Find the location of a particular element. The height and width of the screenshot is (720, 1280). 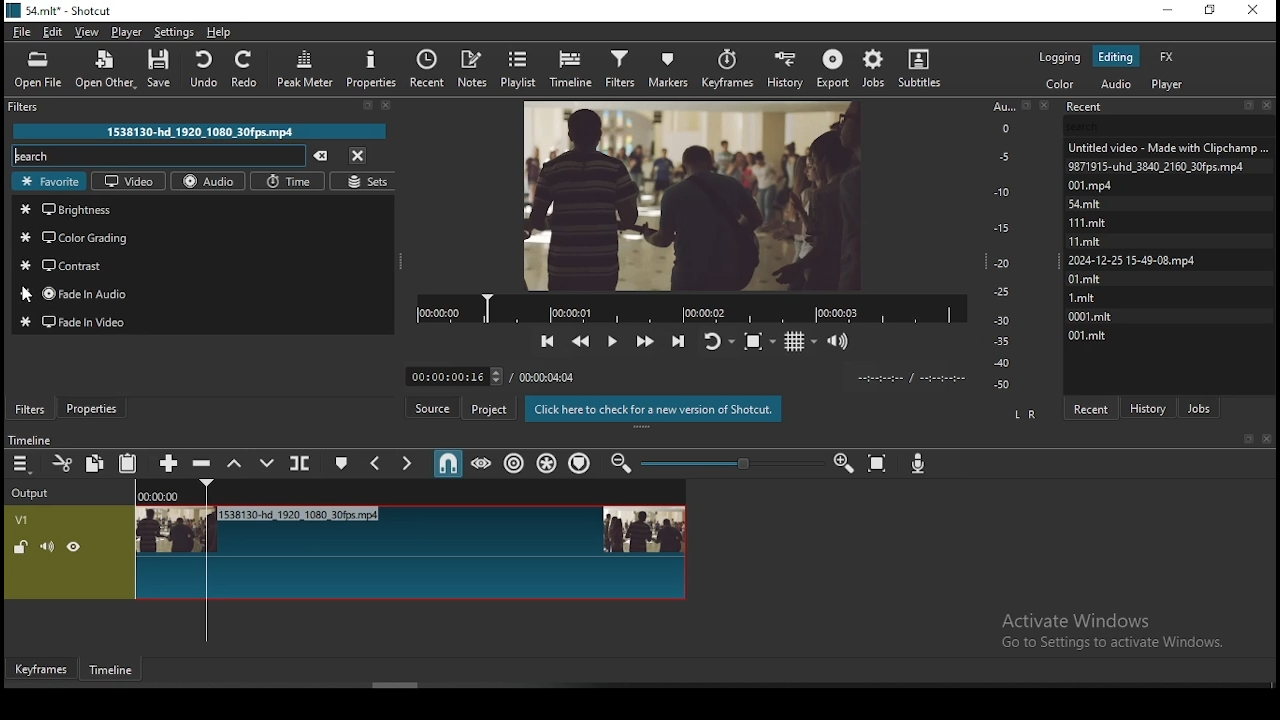

fx is located at coordinates (1168, 57).